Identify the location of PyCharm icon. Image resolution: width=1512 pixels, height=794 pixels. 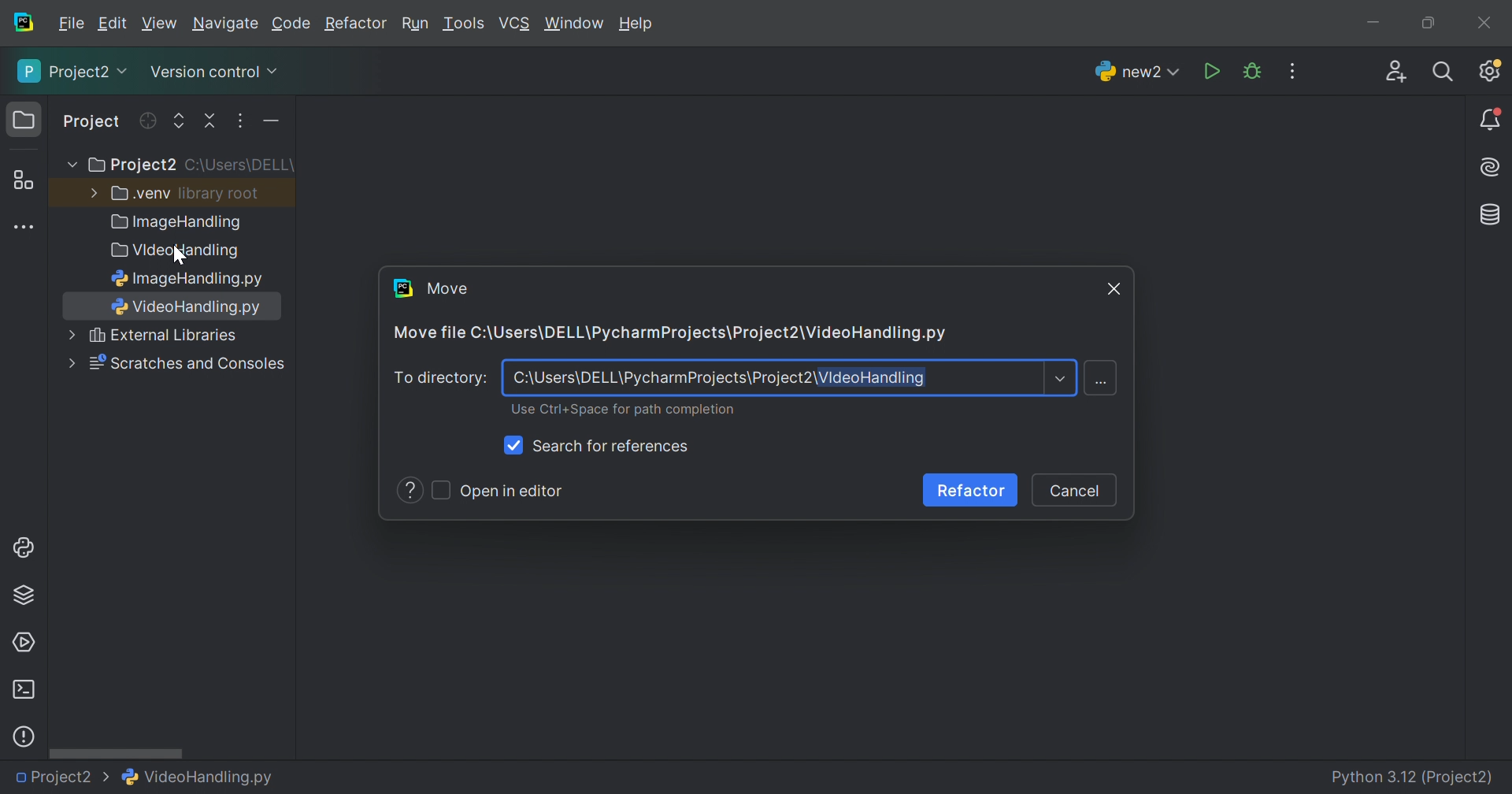
(402, 288).